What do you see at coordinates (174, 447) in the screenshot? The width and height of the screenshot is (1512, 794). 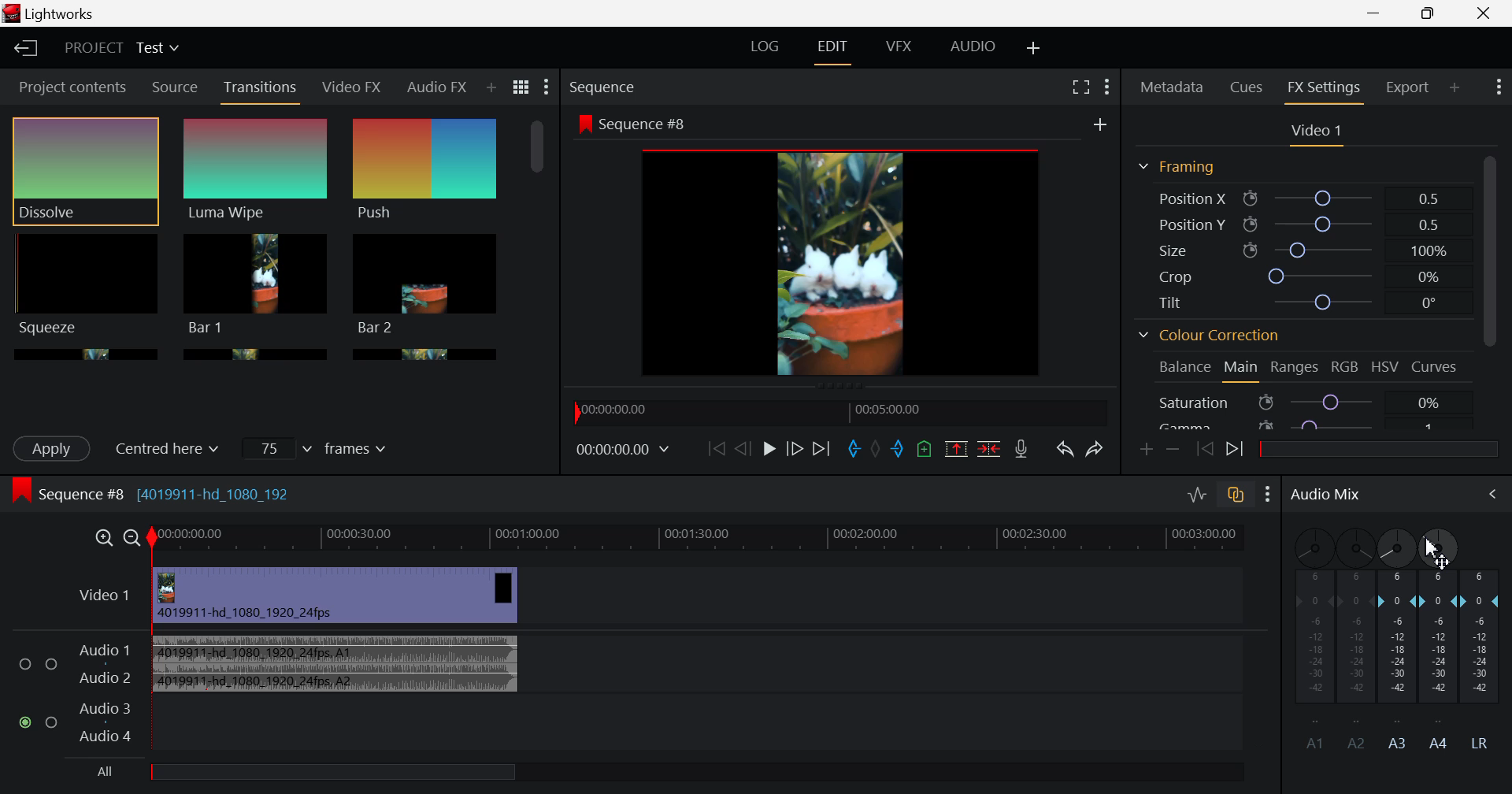 I see `Centered here` at bounding box center [174, 447].